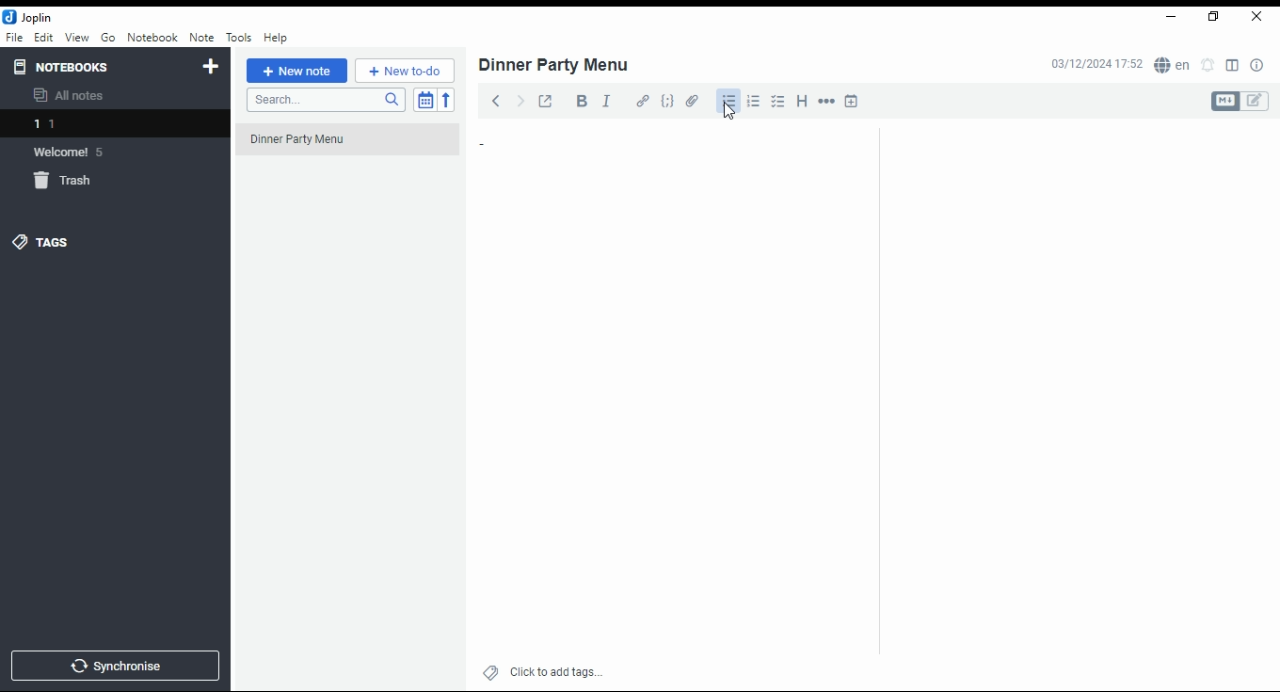 The height and width of the screenshot is (692, 1280). I want to click on dinner party menu, so click(351, 139).